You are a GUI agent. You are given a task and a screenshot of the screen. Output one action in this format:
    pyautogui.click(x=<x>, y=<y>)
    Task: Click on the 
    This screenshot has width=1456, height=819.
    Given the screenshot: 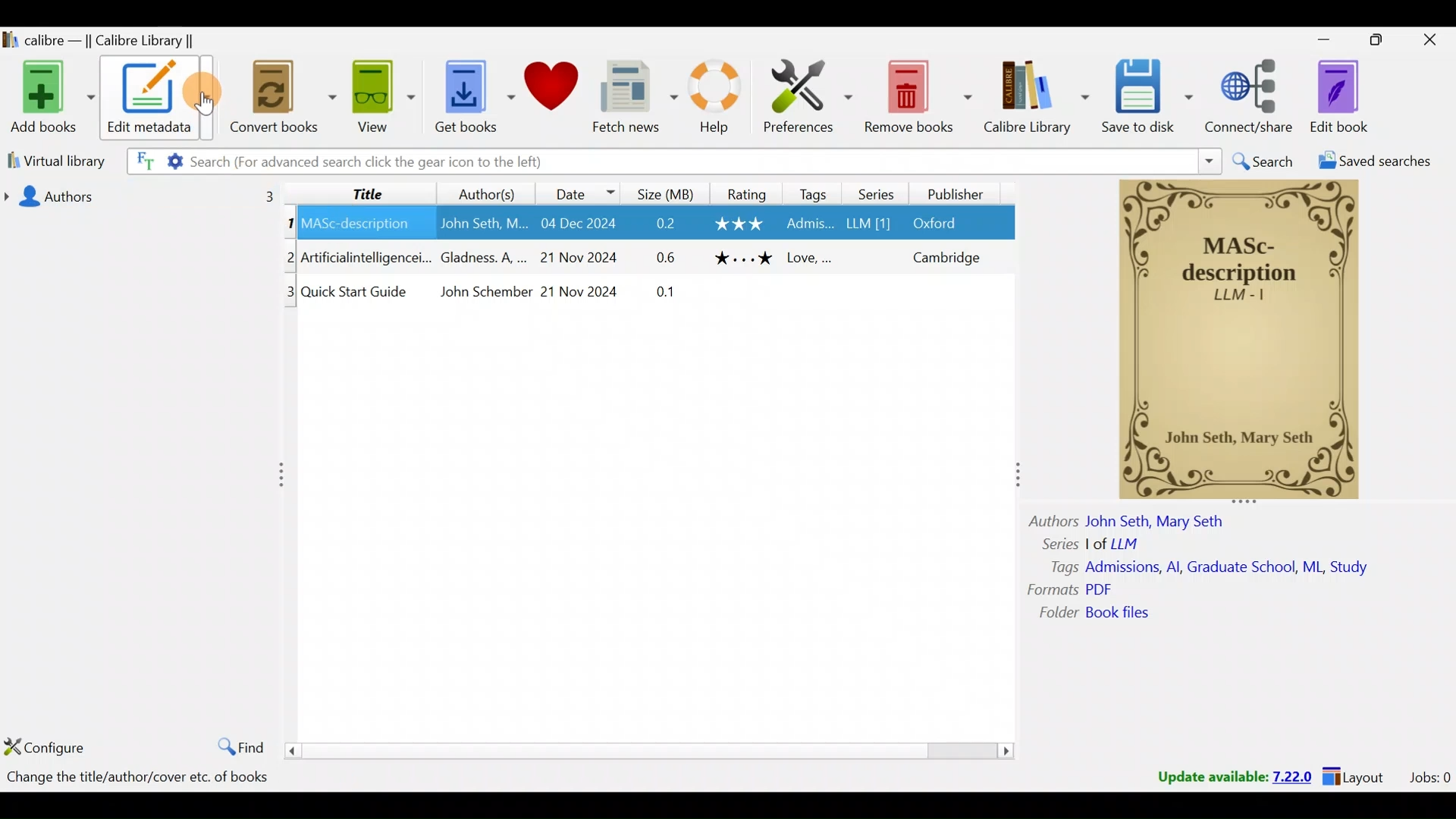 What is the action you would take?
    pyautogui.click(x=485, y=259)
    